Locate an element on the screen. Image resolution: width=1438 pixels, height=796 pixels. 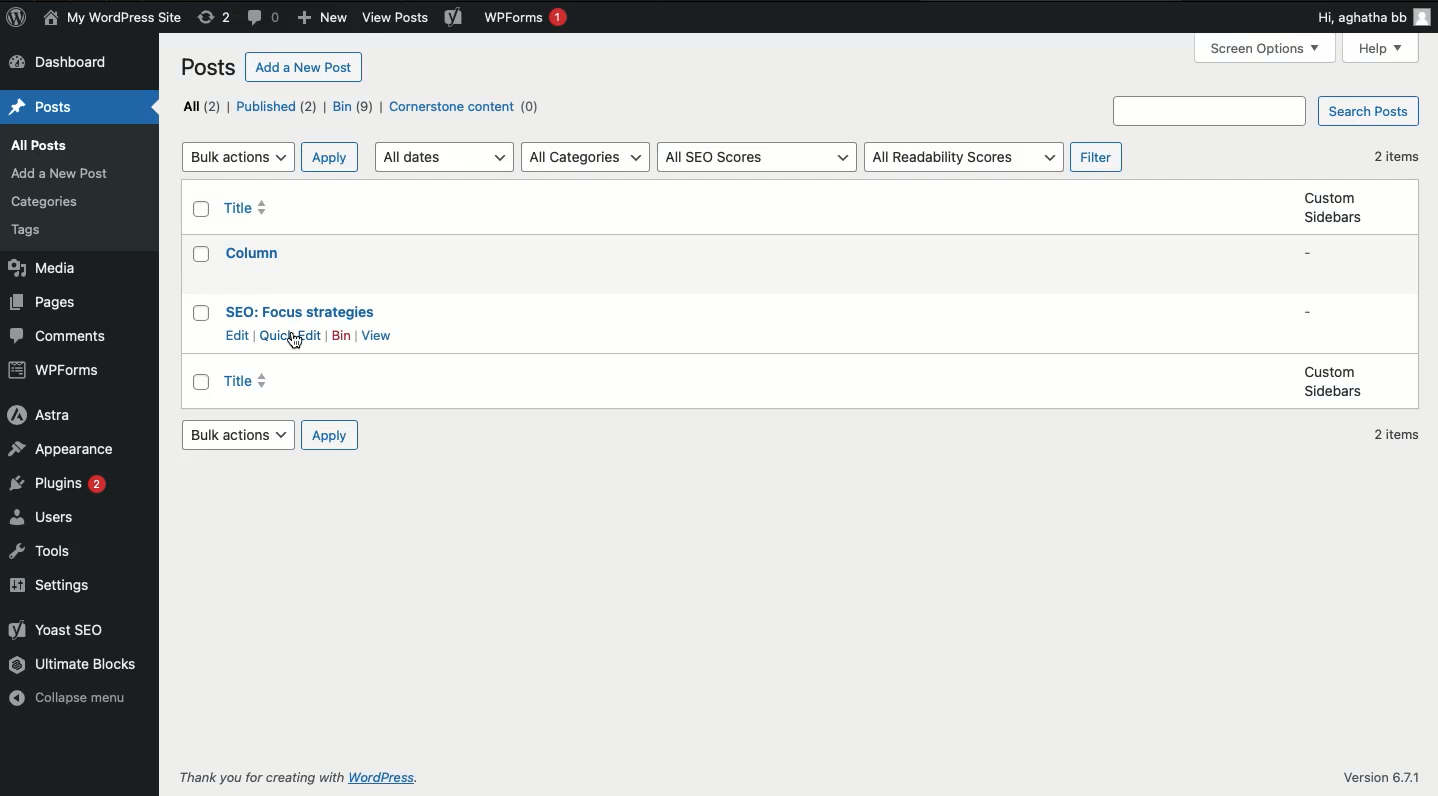
Help is located at coordinates (1382, 50).